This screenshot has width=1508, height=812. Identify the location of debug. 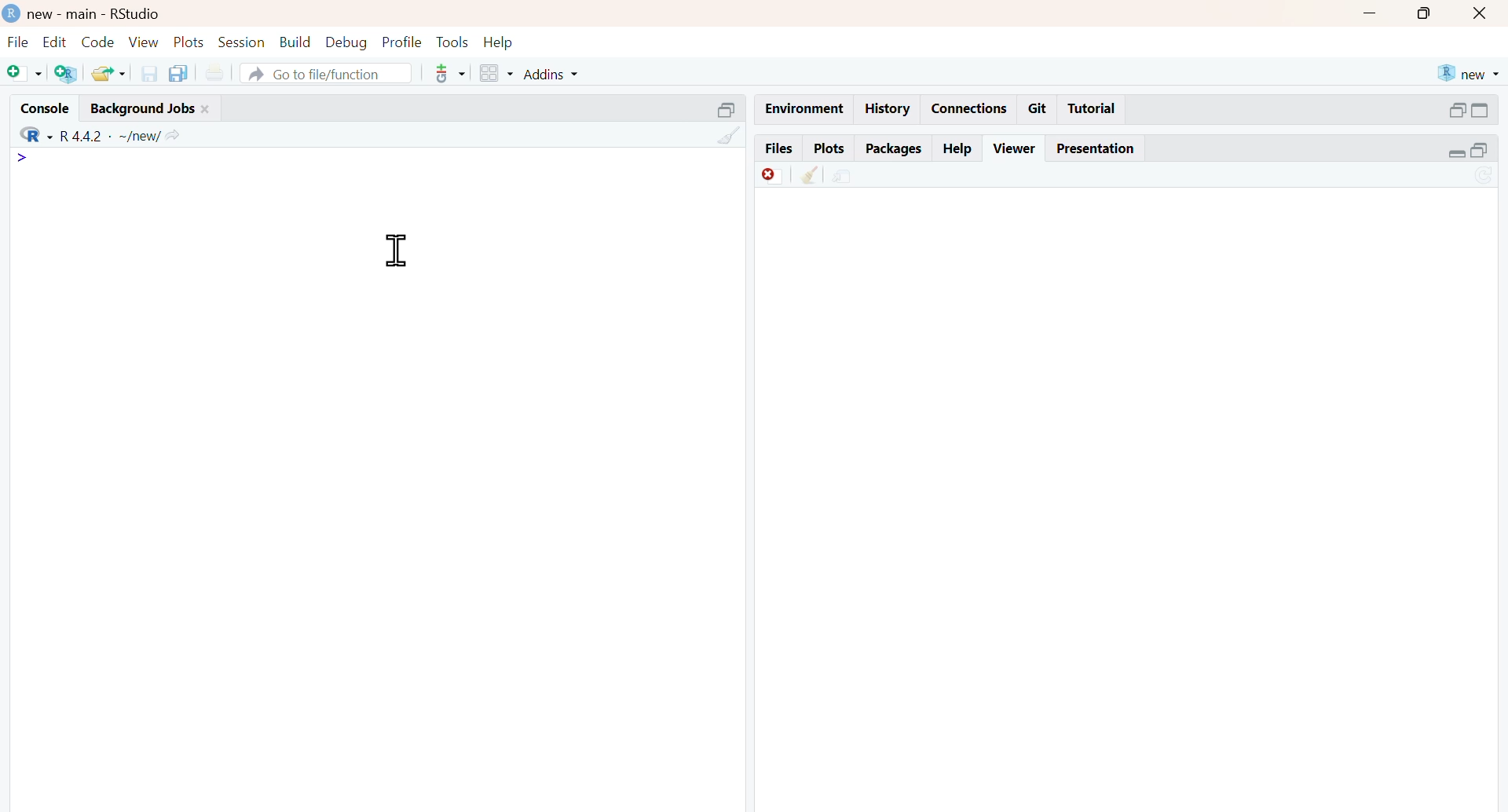
(347, 43).